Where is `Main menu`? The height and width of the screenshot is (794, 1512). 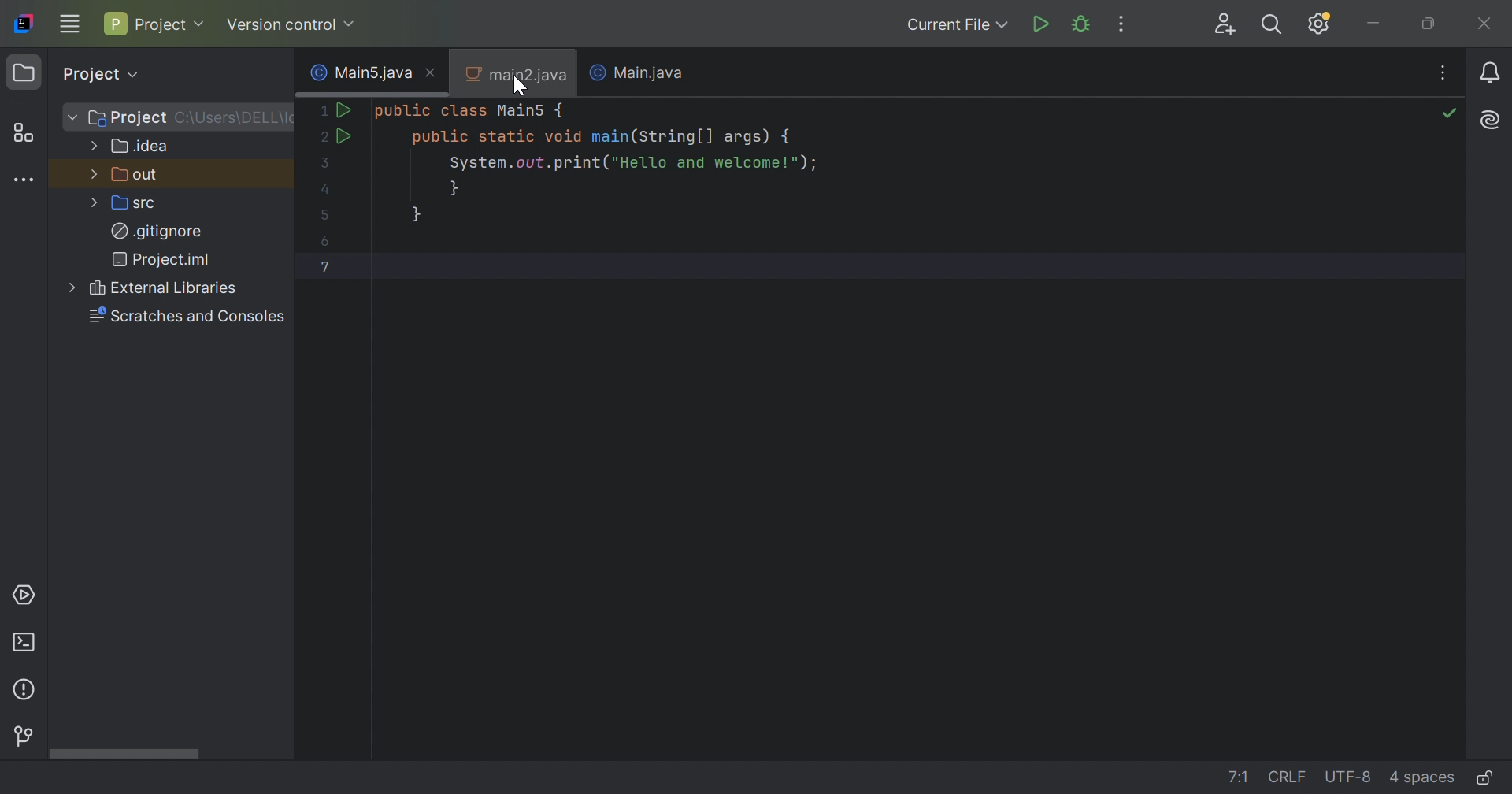
Main menu is located at coordinates (67, 25).